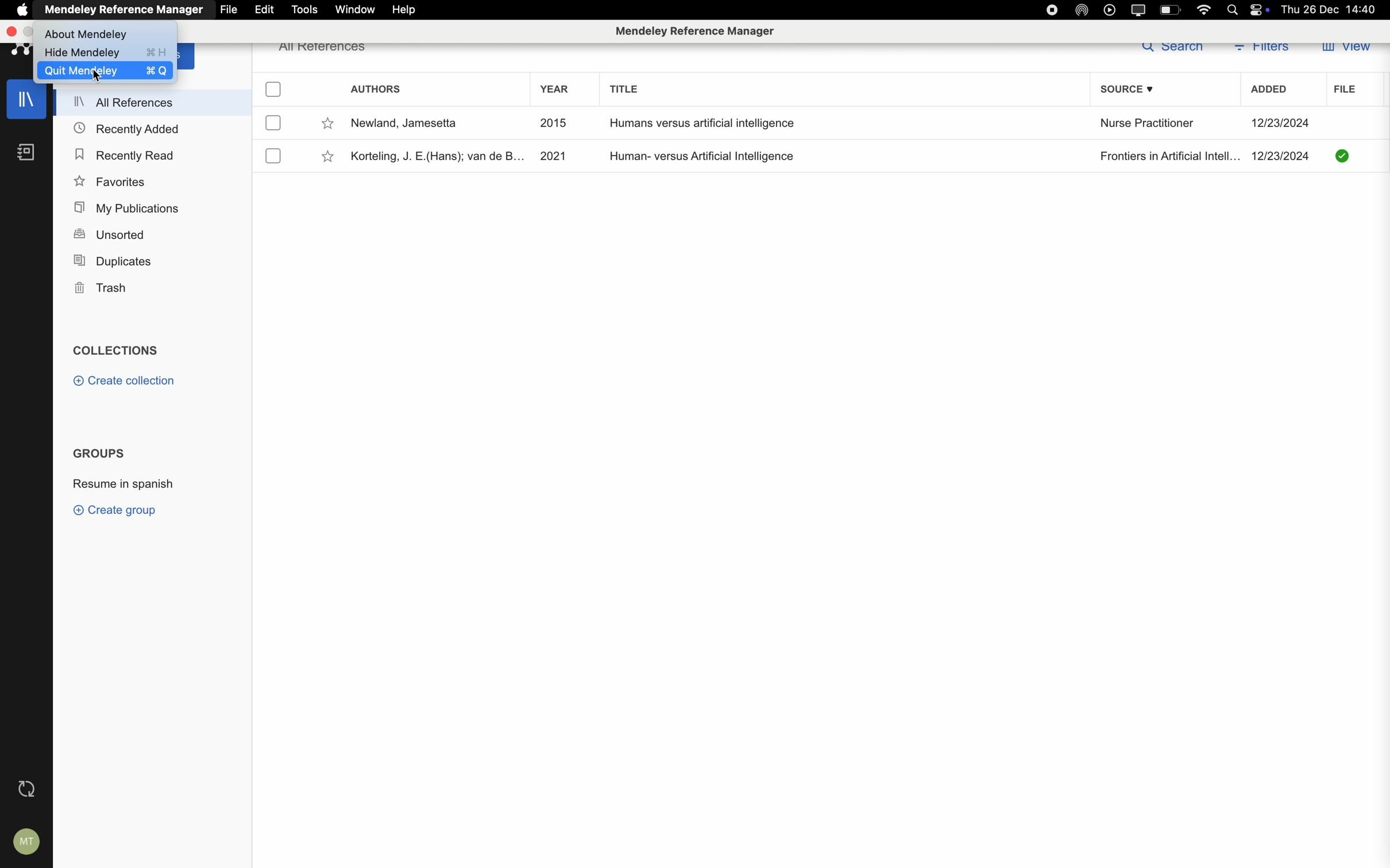 The width and height of the screenshot is (1390, 868). What do you see at coordinates (117, 259) in the screenshot?
I see `duplicates` at bounding box center [117, 259].